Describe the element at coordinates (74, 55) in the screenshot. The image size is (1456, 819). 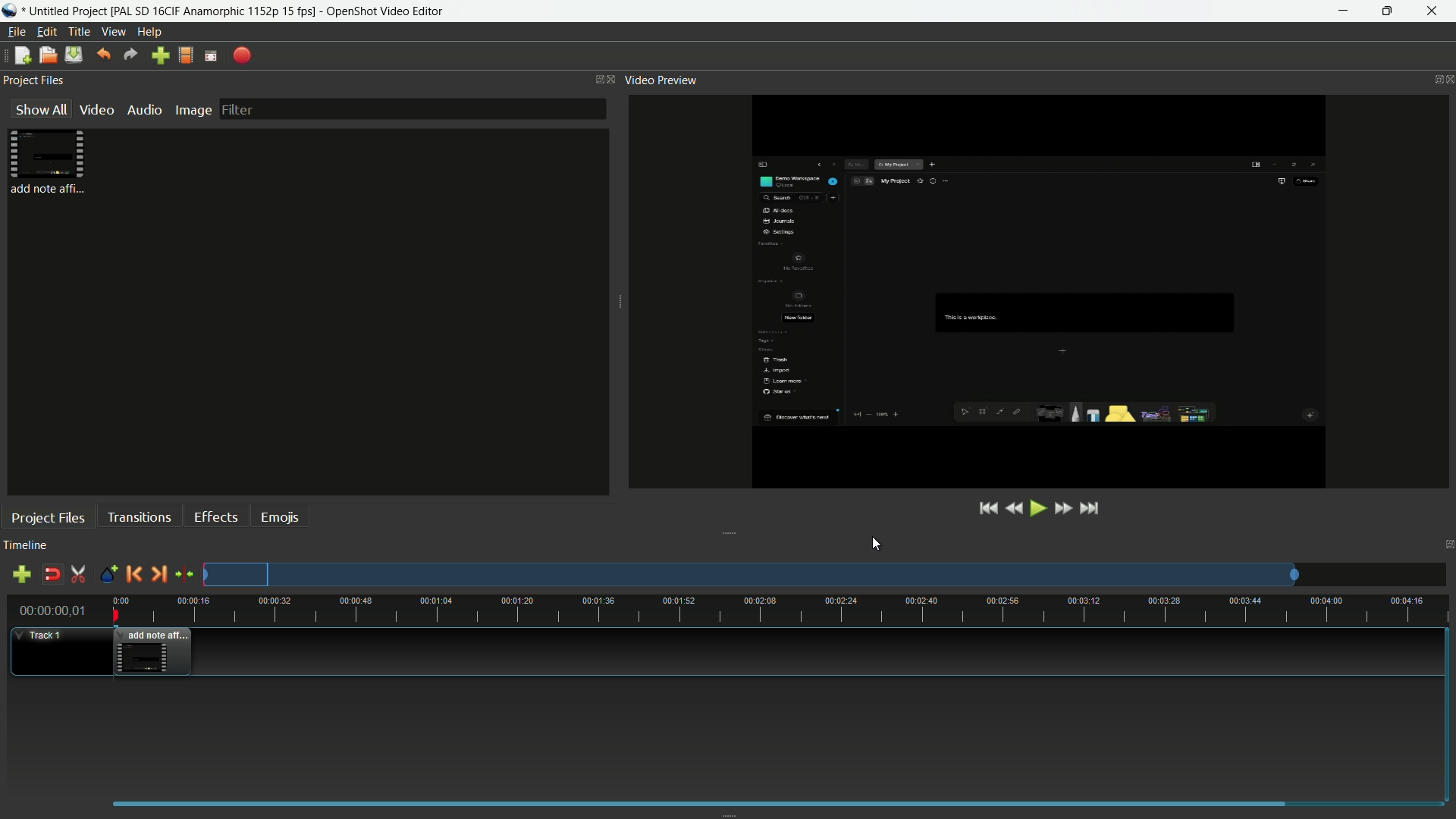
I see `save file` at that location.